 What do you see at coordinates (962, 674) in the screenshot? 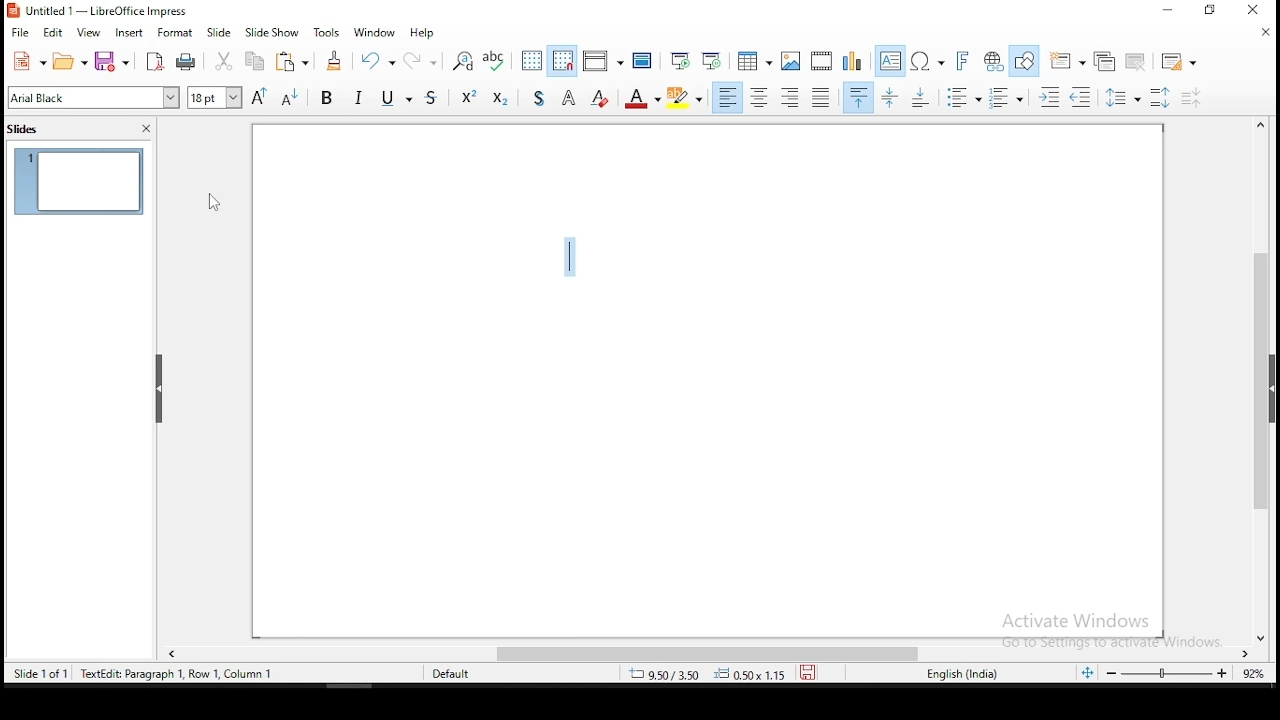
I see `English (India)` at bounding box center [962, 674].